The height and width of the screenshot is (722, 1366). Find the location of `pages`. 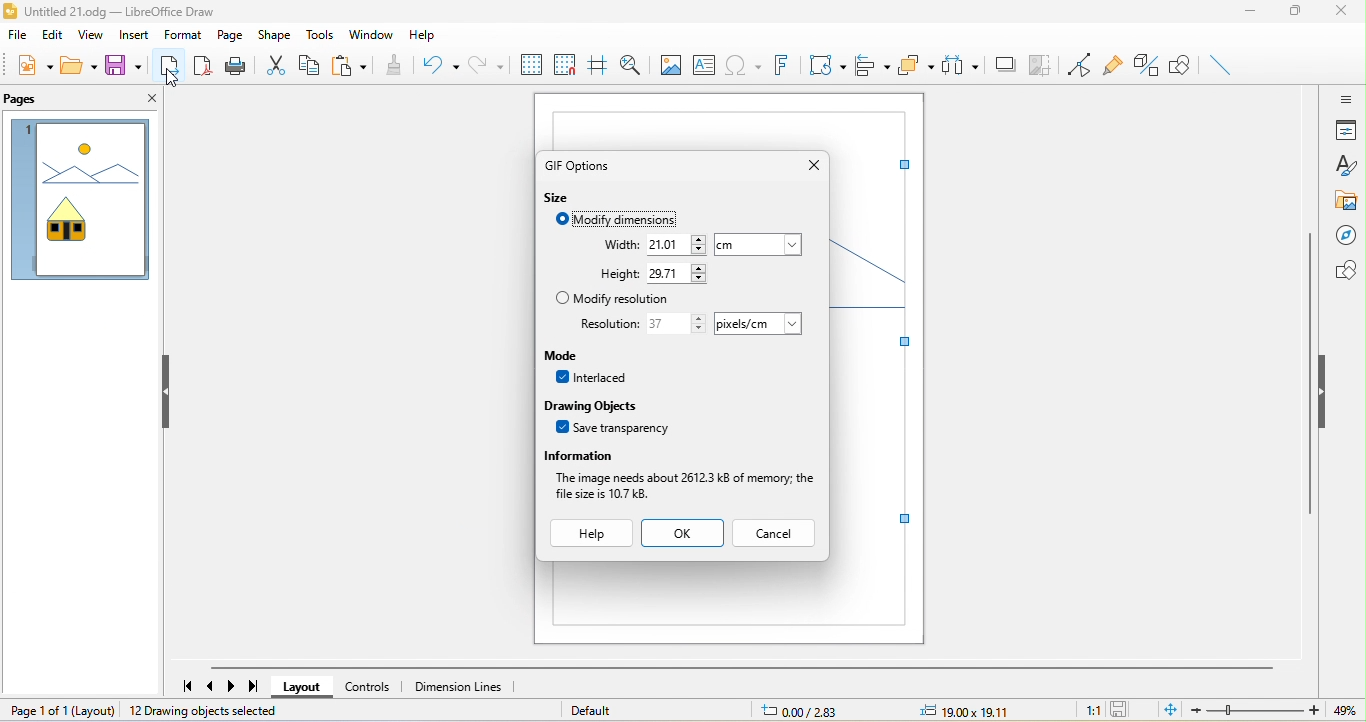

pages is located at coordinates (33, 101).